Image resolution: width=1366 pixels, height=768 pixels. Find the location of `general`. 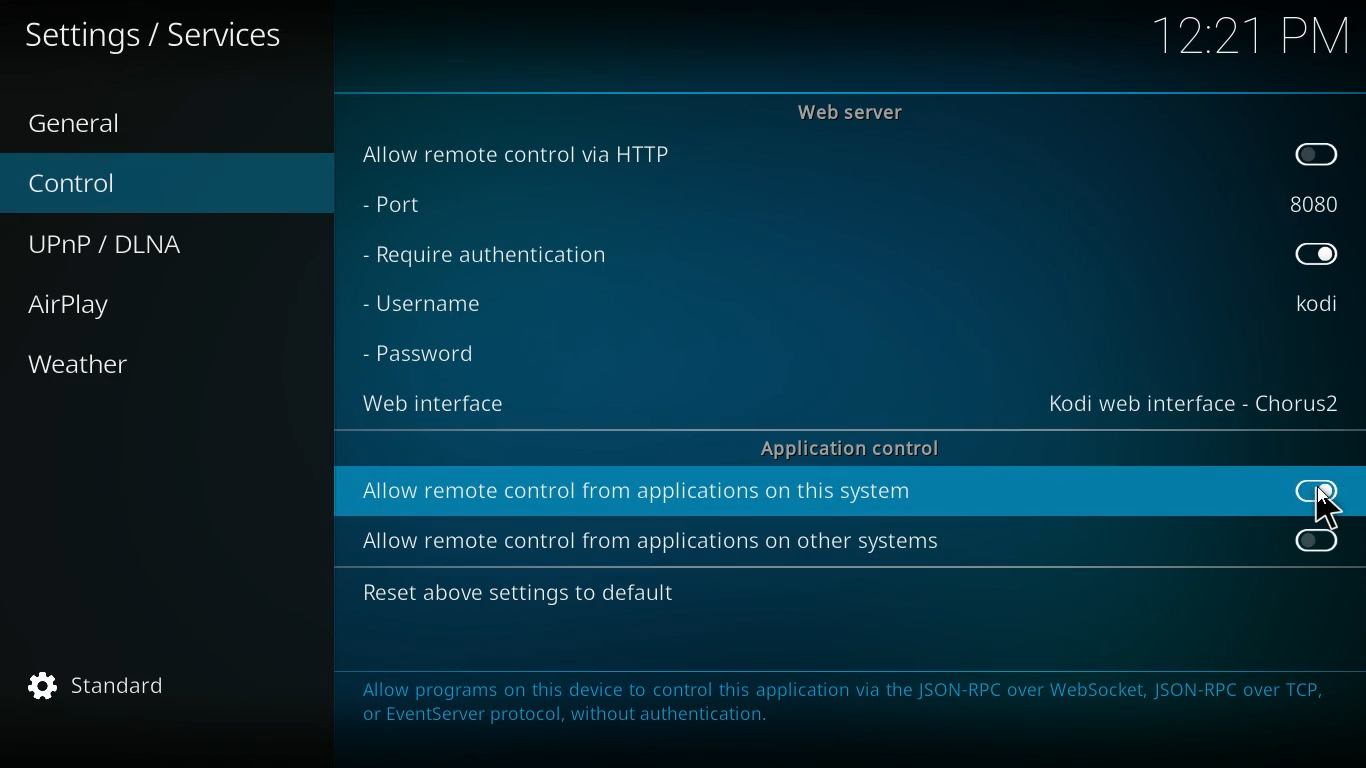

general is located at coordinates (165, 126).